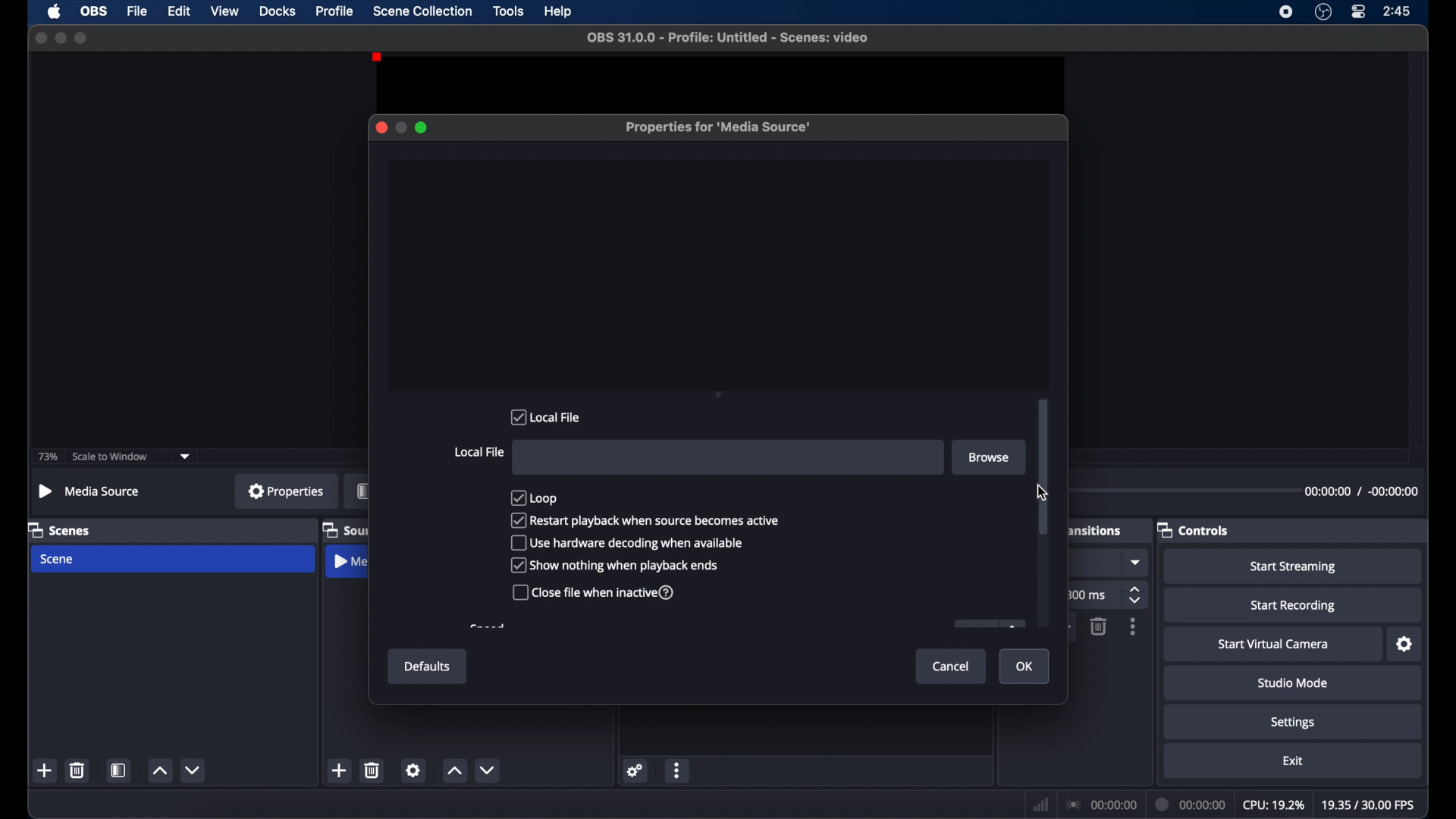 This screenshot has width=1456, height=819. What do you see at coordinates (988, 457) in the screenshot?
I see `browse` at bounding box center [988, 457].